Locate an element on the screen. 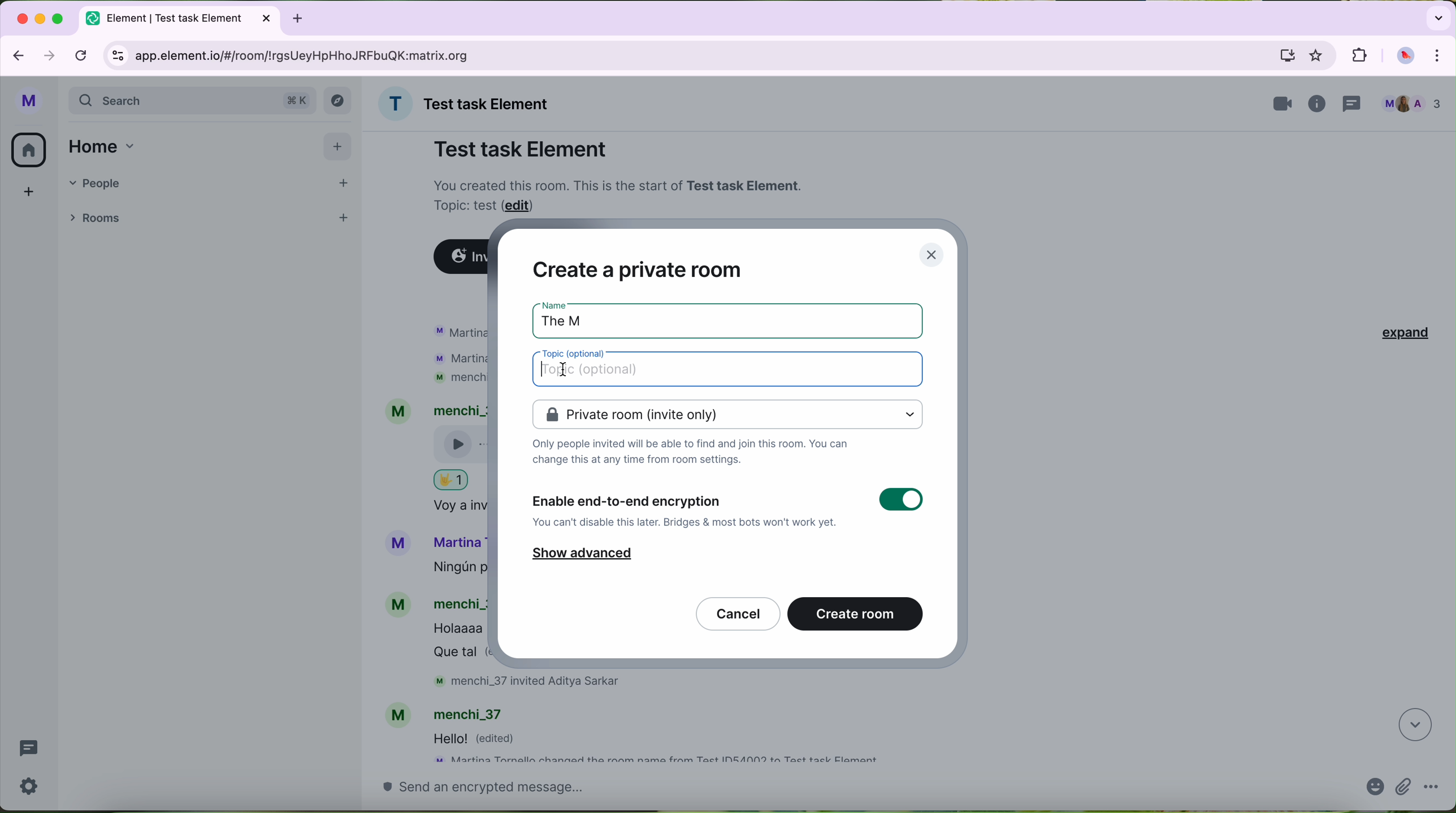 The image size is (1456, 813). expand is located at coordinates (1399, 332).